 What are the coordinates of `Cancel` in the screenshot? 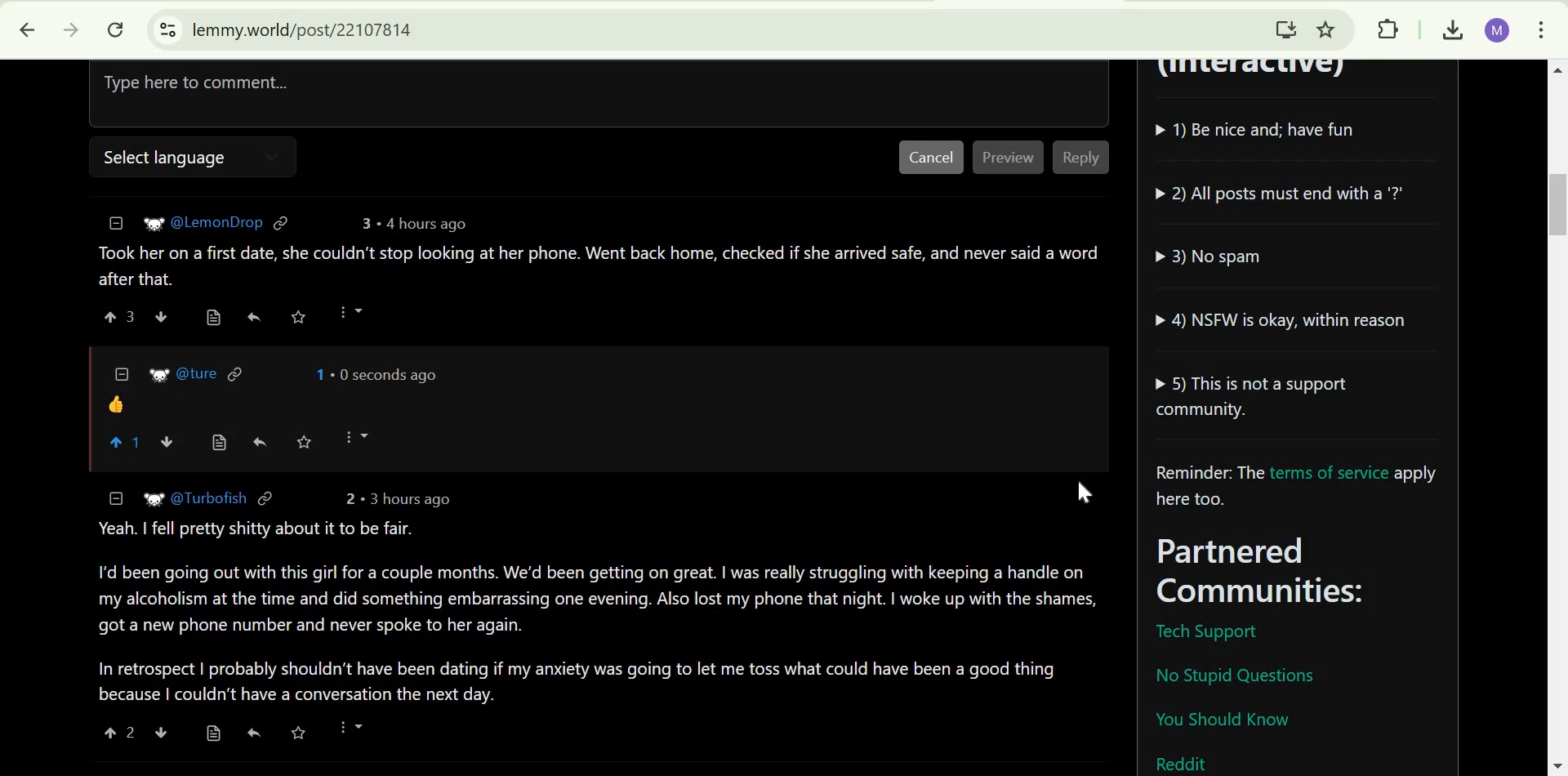 It's located at (930, 158).